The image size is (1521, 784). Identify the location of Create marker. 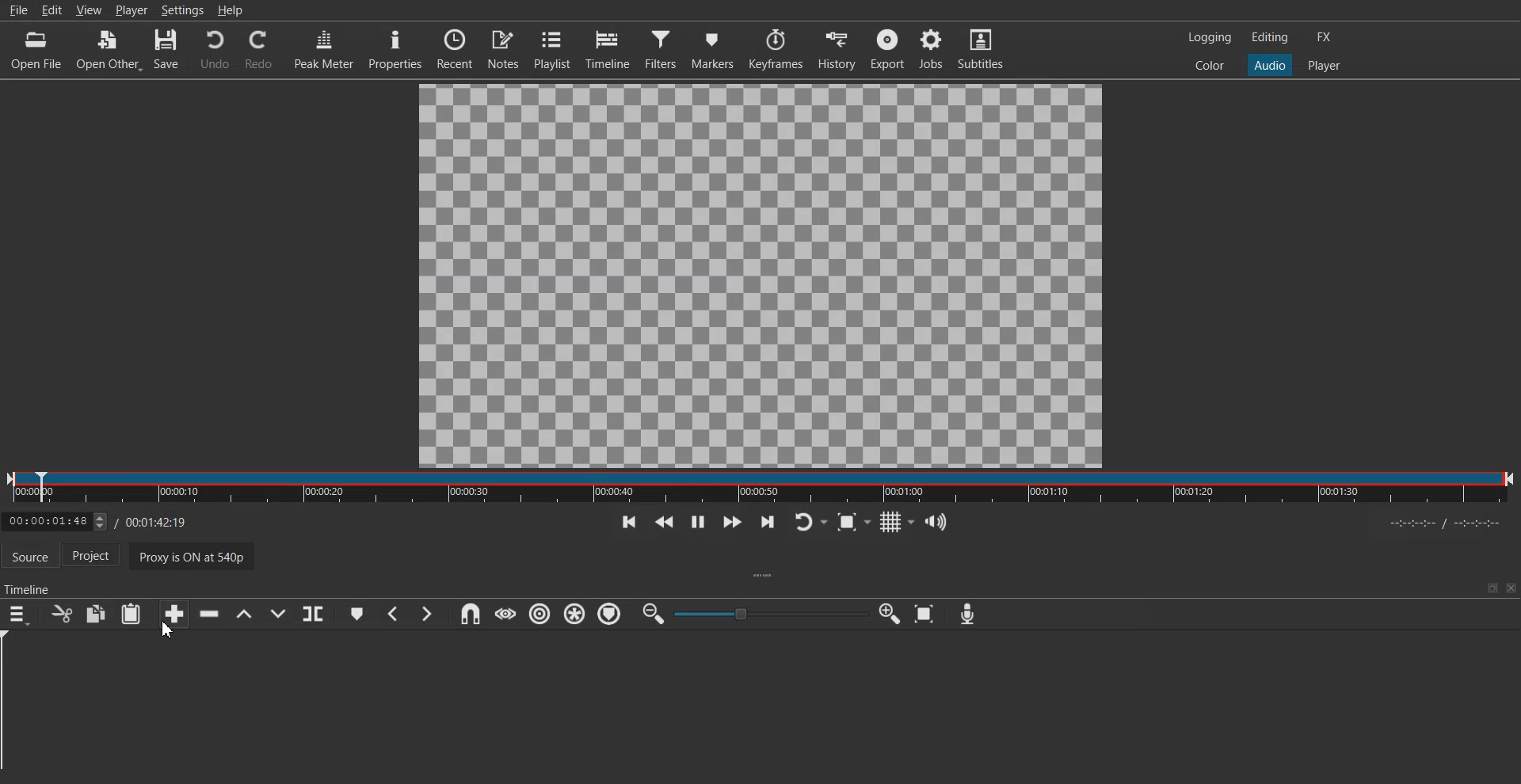
(356, 614).